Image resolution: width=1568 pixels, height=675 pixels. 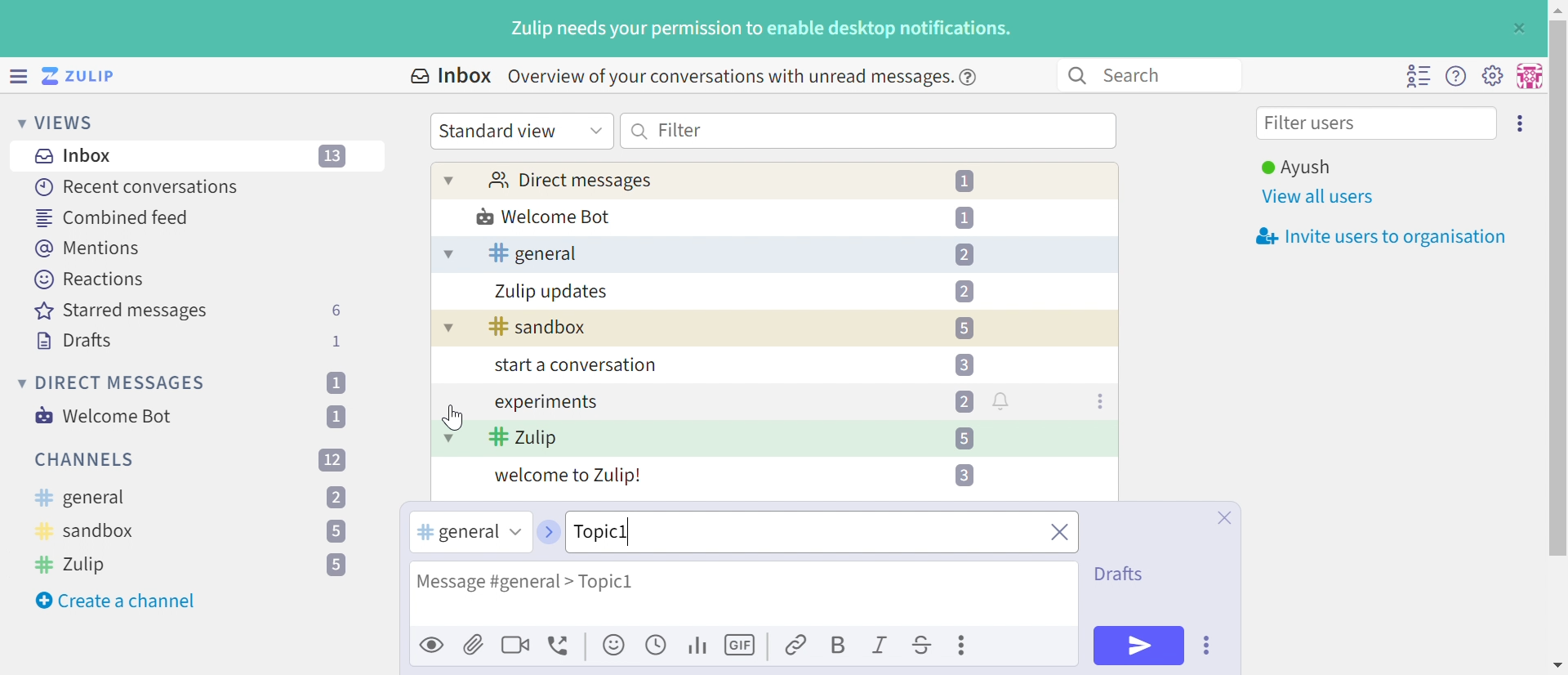 I want to click on Forward arrow, so click(x=547, y=532).